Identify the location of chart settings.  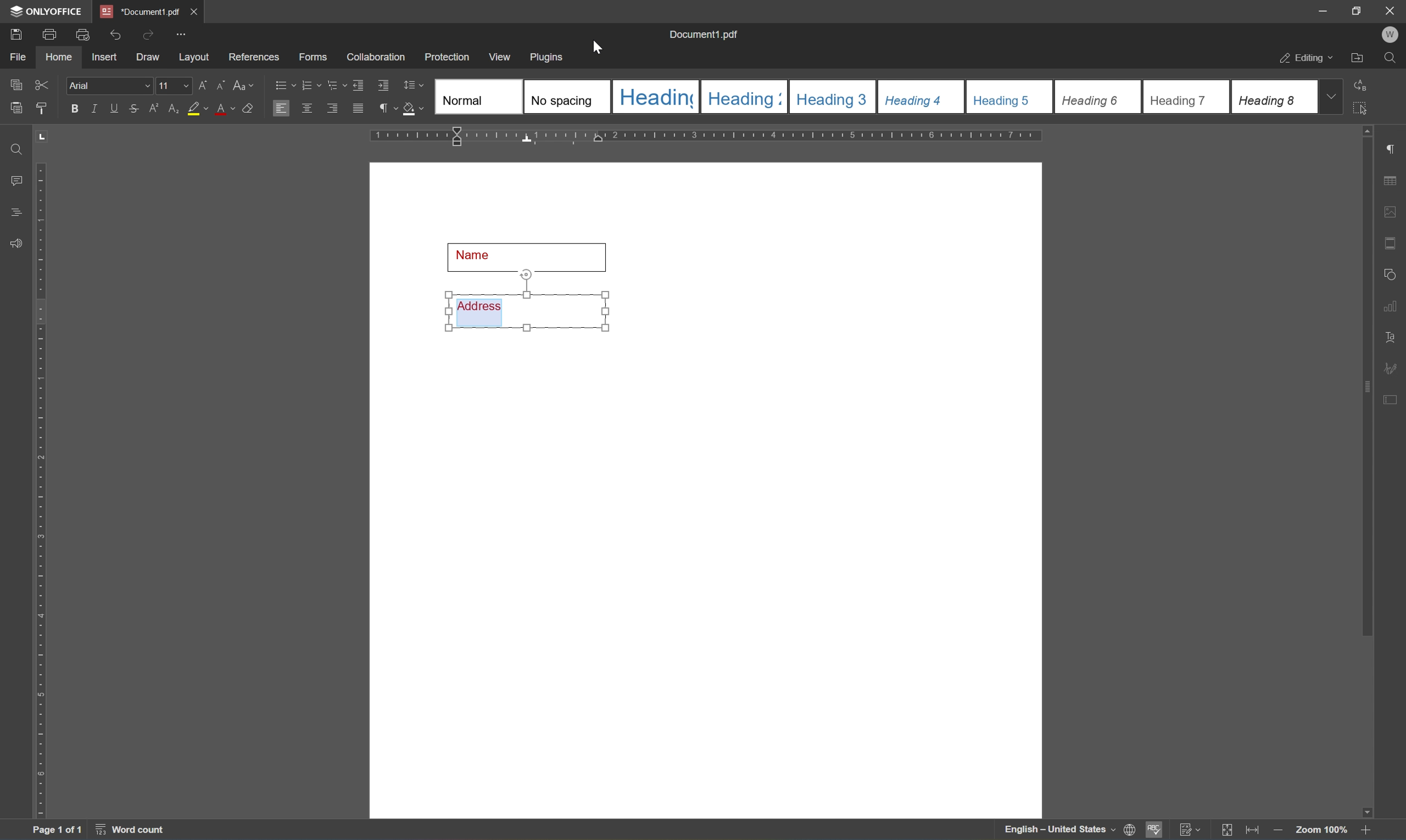
(1393, 307).